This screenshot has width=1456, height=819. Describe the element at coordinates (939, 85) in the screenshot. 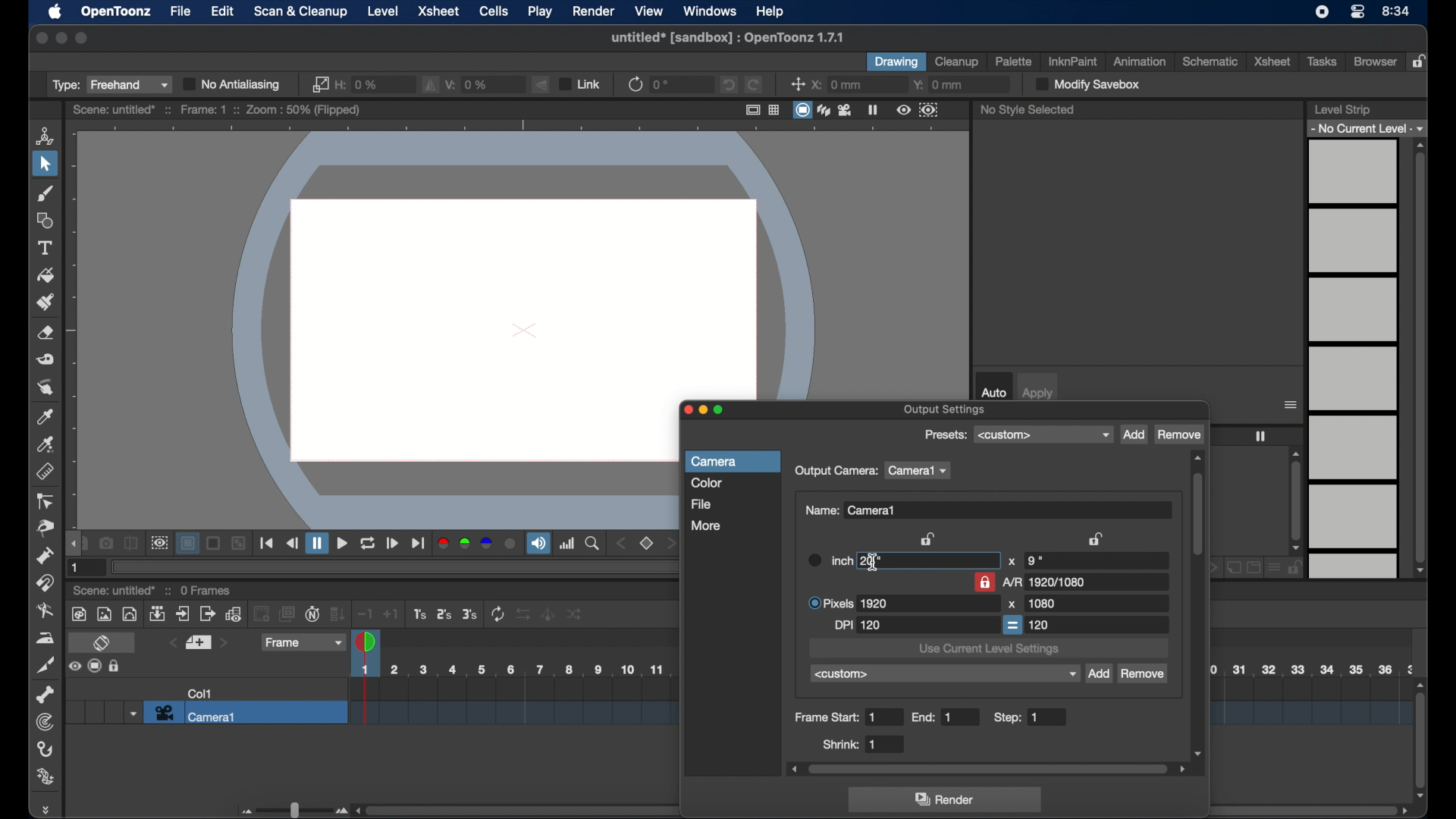

I see `y` at that location.